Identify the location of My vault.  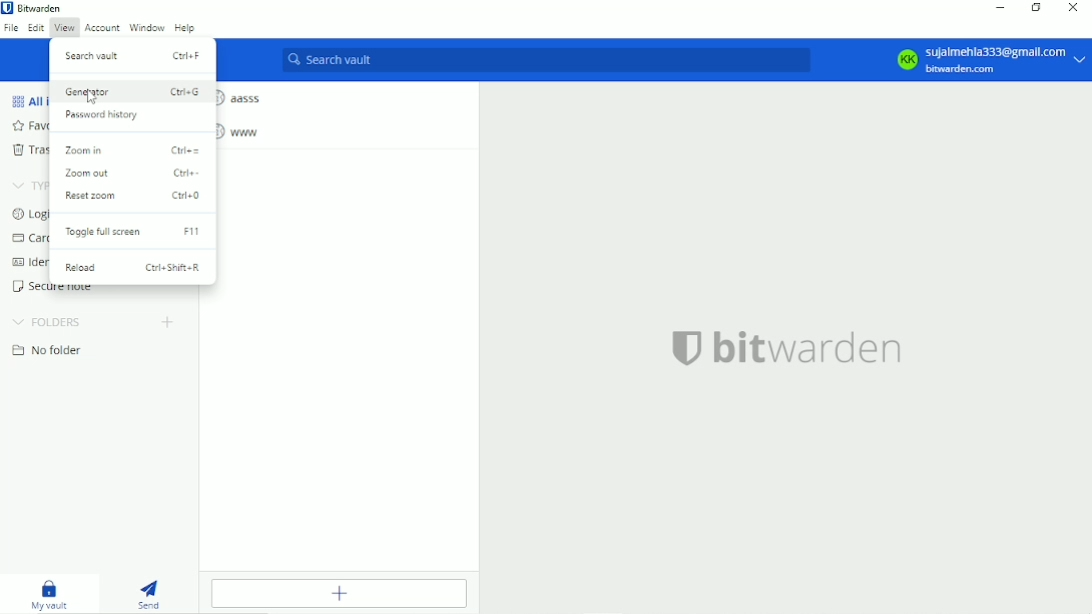
(54, 593).